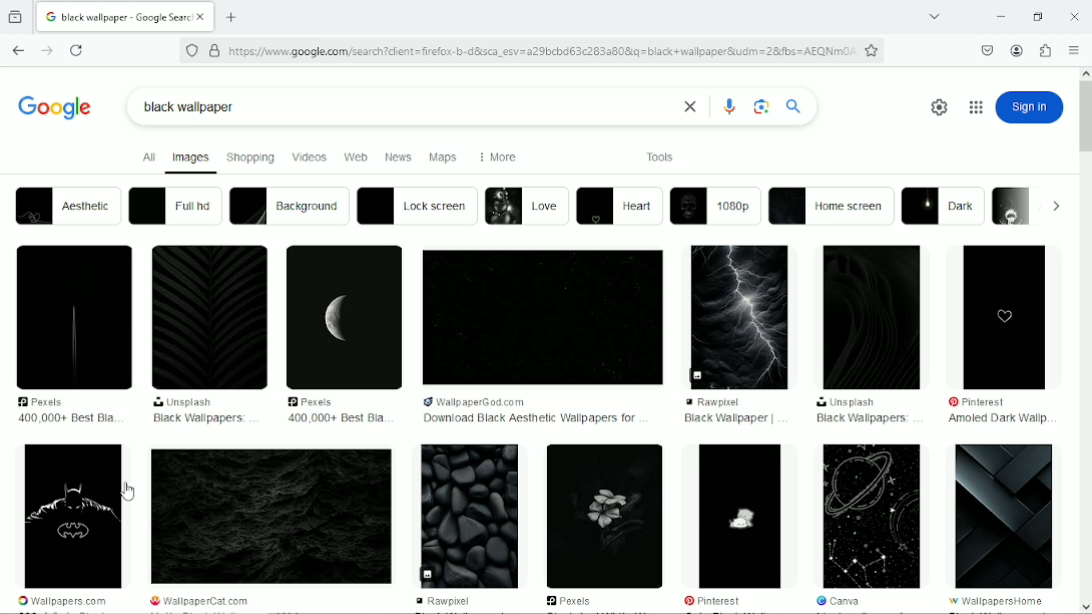 The width and height of the screenshot is (1092, 614). Describe the element at coordinates (127, 15) in the screenshot. I see `black wallpaper-google search` at that location.